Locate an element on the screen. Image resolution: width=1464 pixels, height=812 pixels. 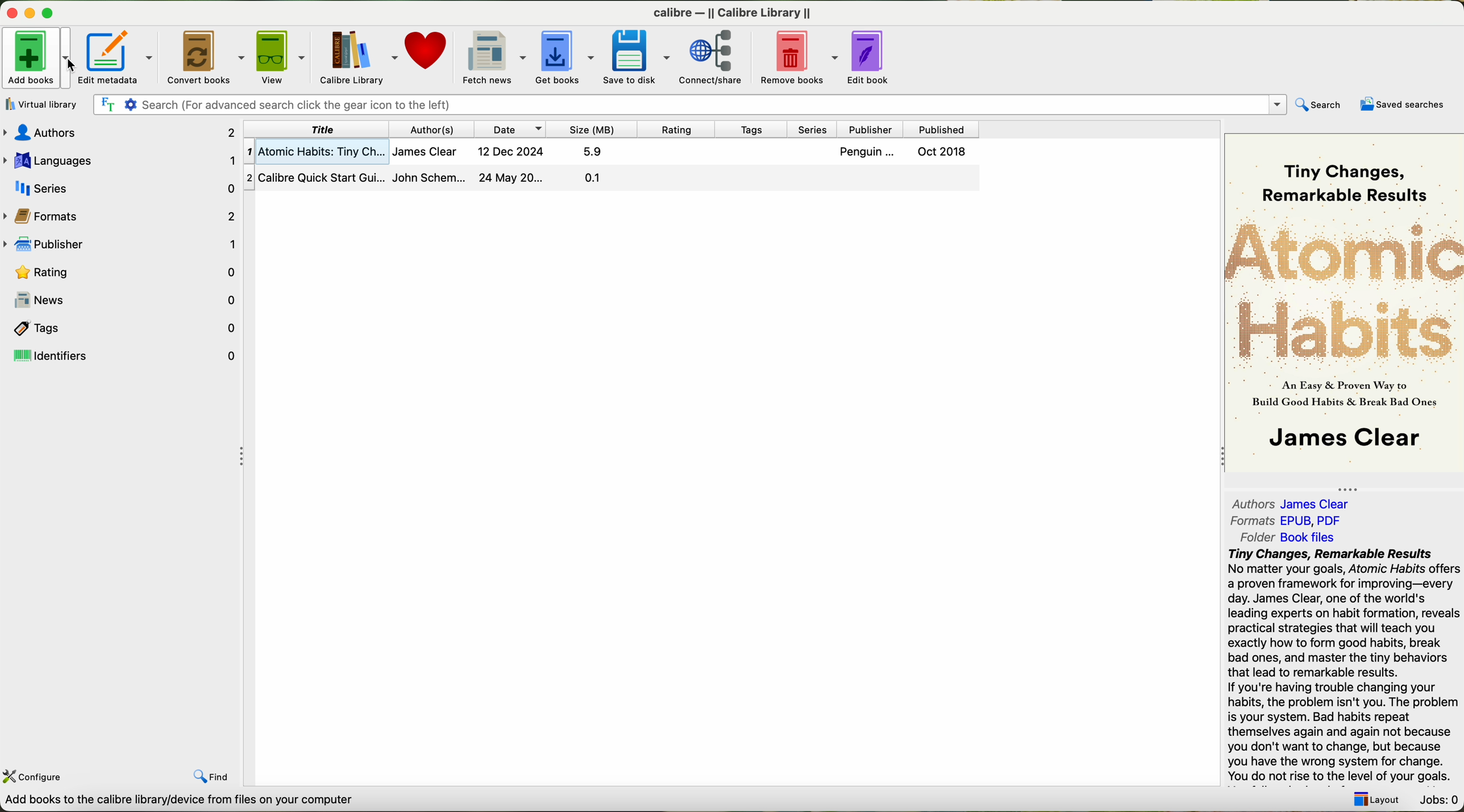
maximize is located at coordinates (49, 12).